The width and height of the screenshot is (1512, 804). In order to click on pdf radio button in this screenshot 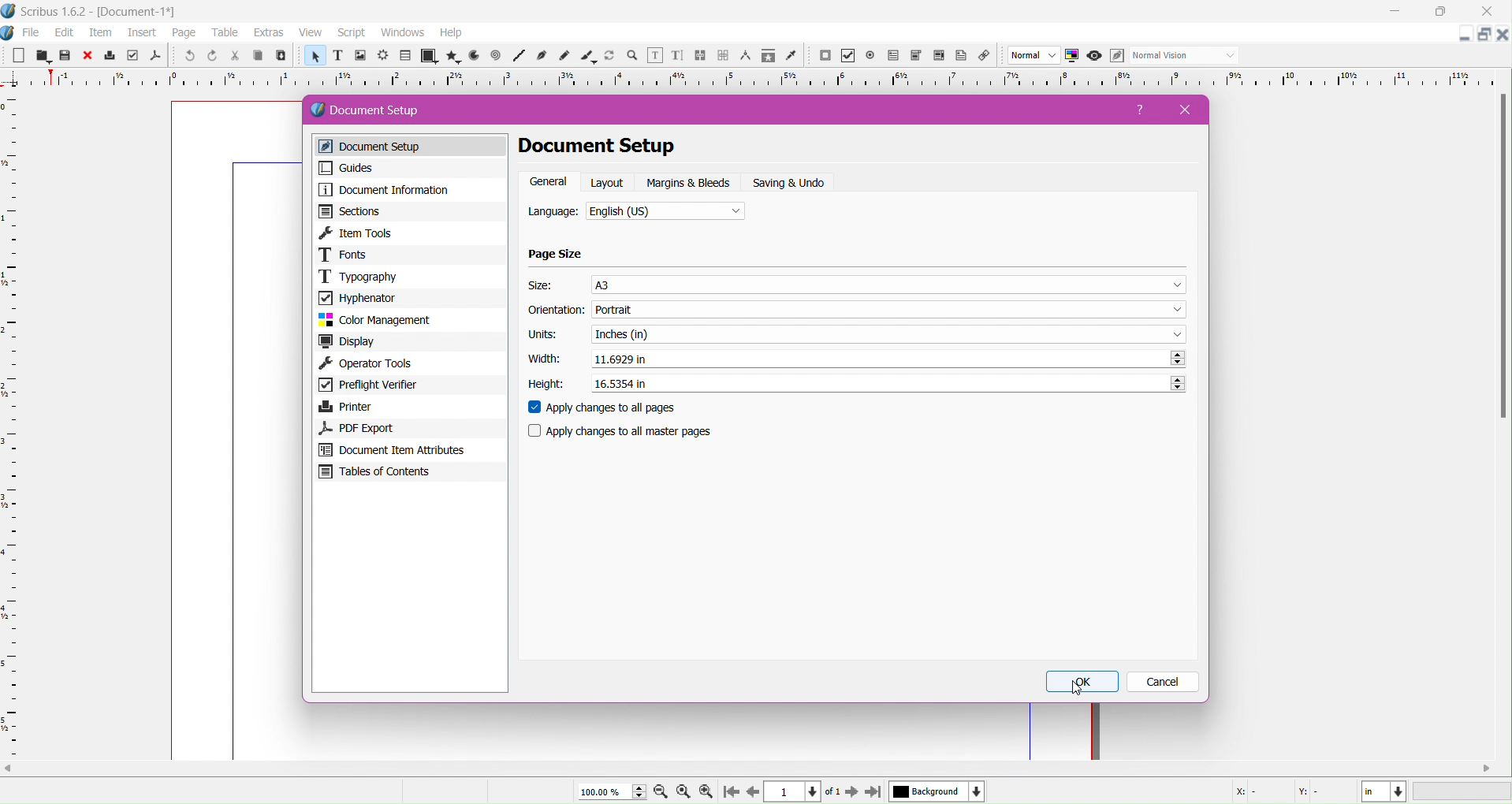, I will do `click(870, 56)`.